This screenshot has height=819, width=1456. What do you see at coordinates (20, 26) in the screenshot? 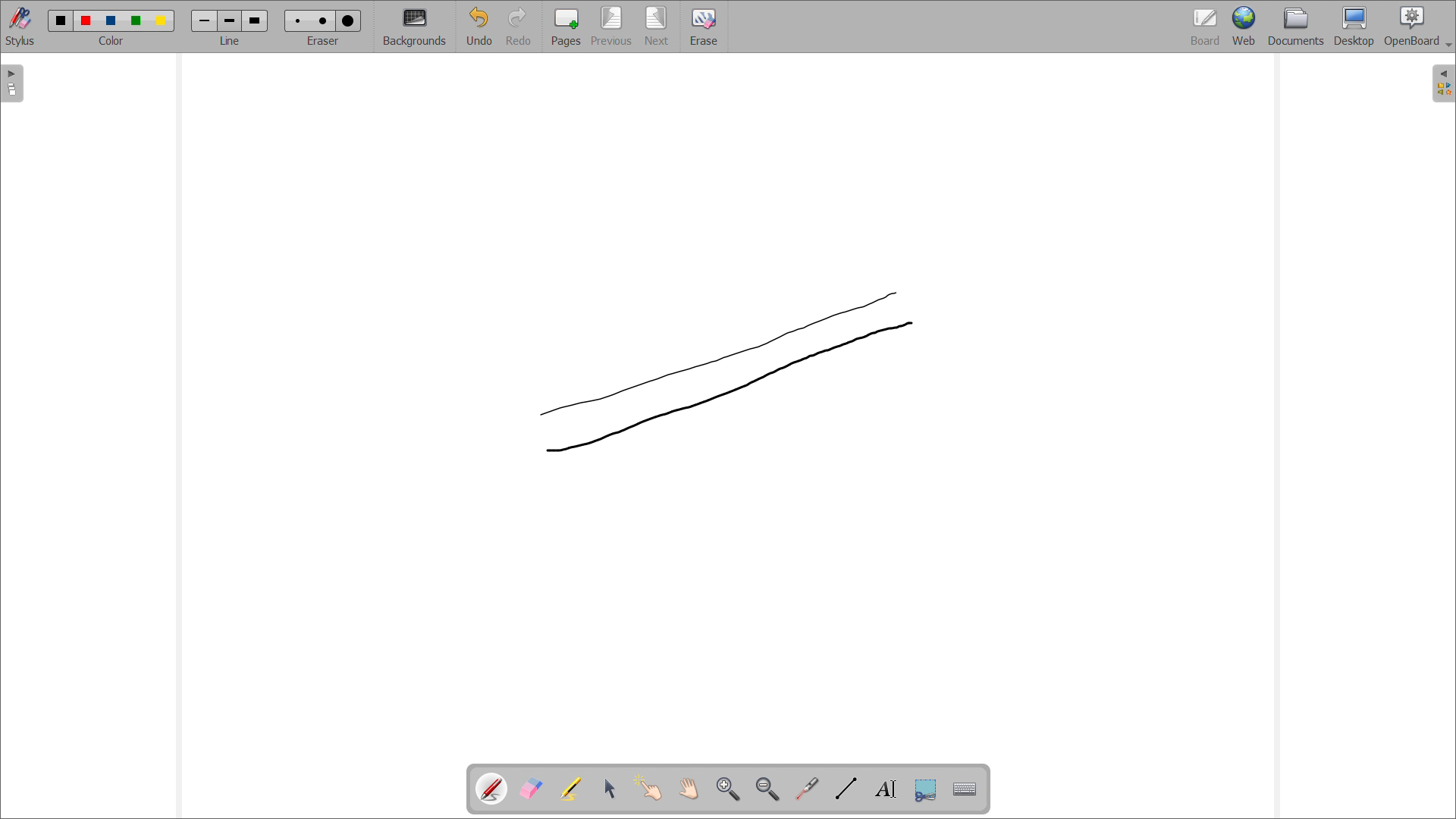
I see `toggle stylus` at bounding box center [20, 26].